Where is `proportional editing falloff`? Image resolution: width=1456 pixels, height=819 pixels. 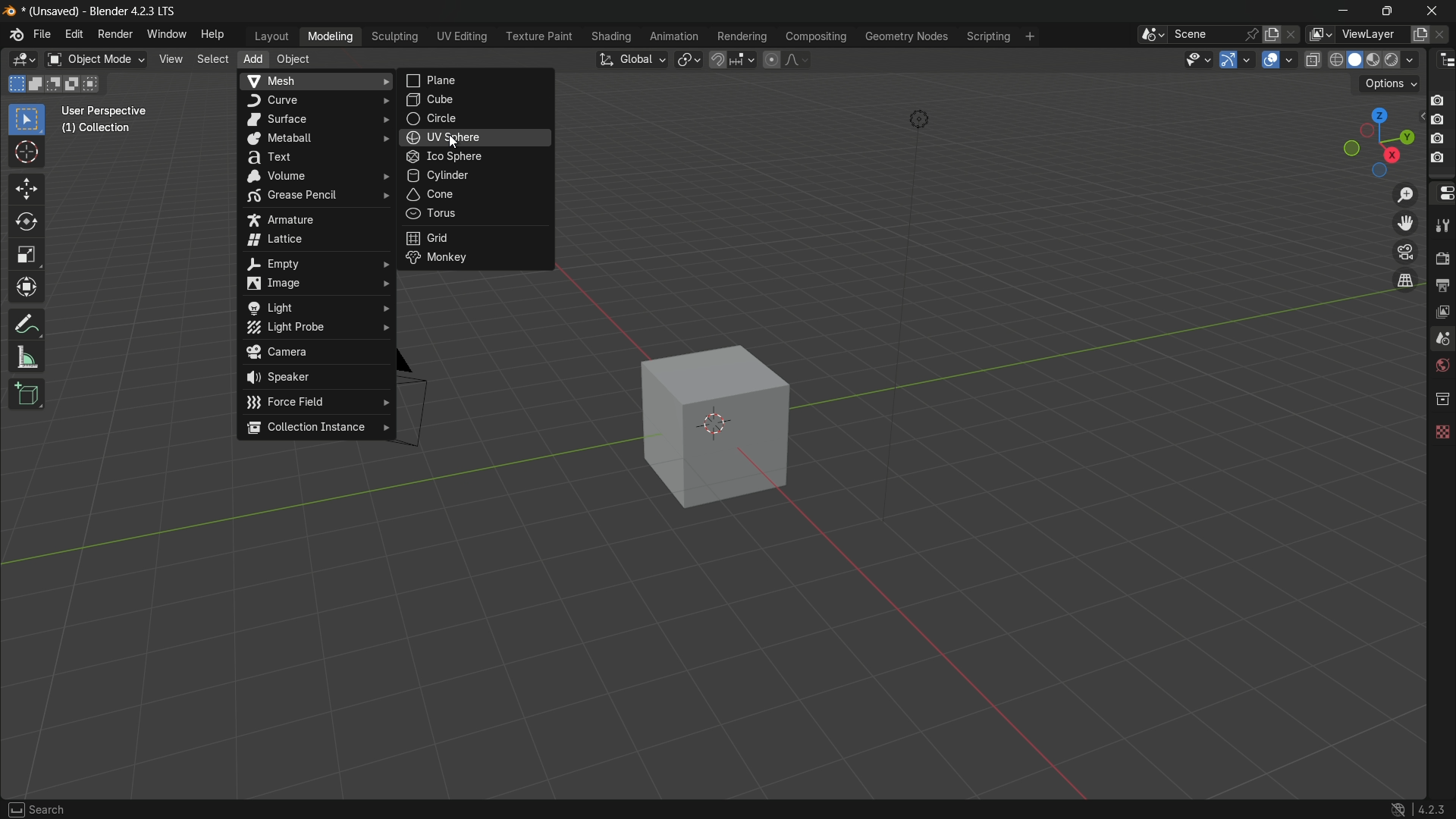
proportional editing falloff is located at coordinates (797, 59).